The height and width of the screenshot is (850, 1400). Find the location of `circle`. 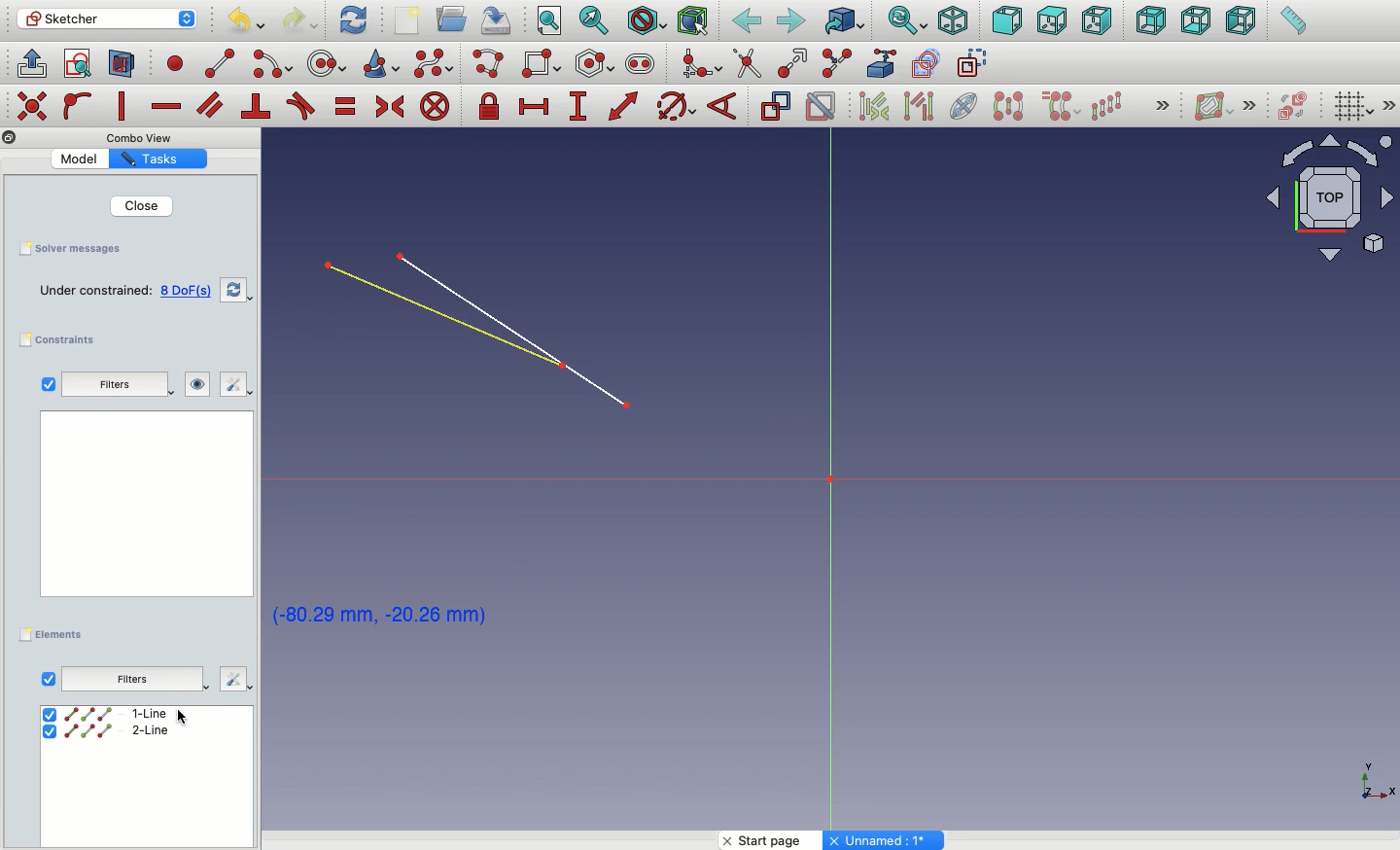

circle is located at coordinates (328, 63).